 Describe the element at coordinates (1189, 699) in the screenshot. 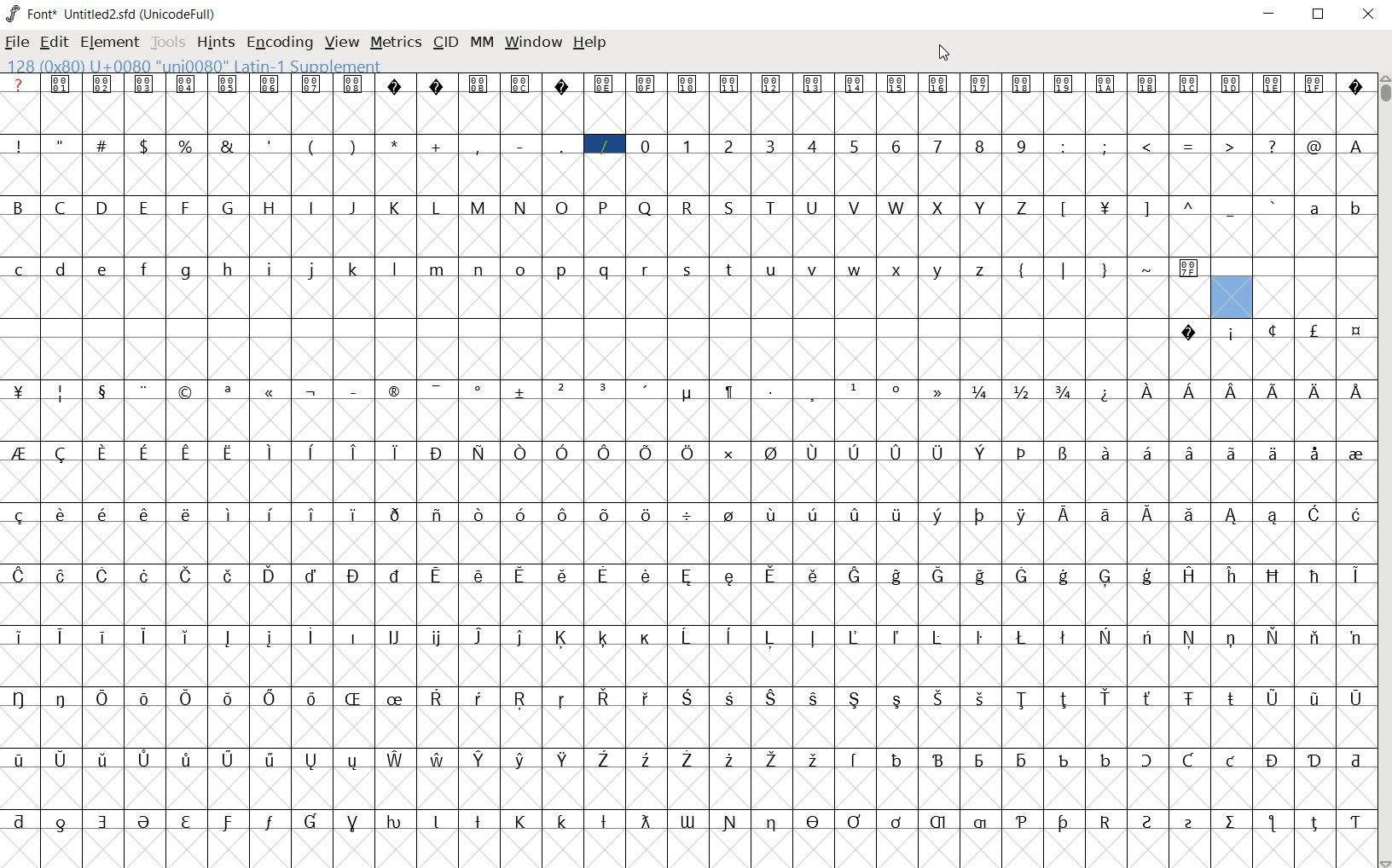

I see `glyph` at that location.